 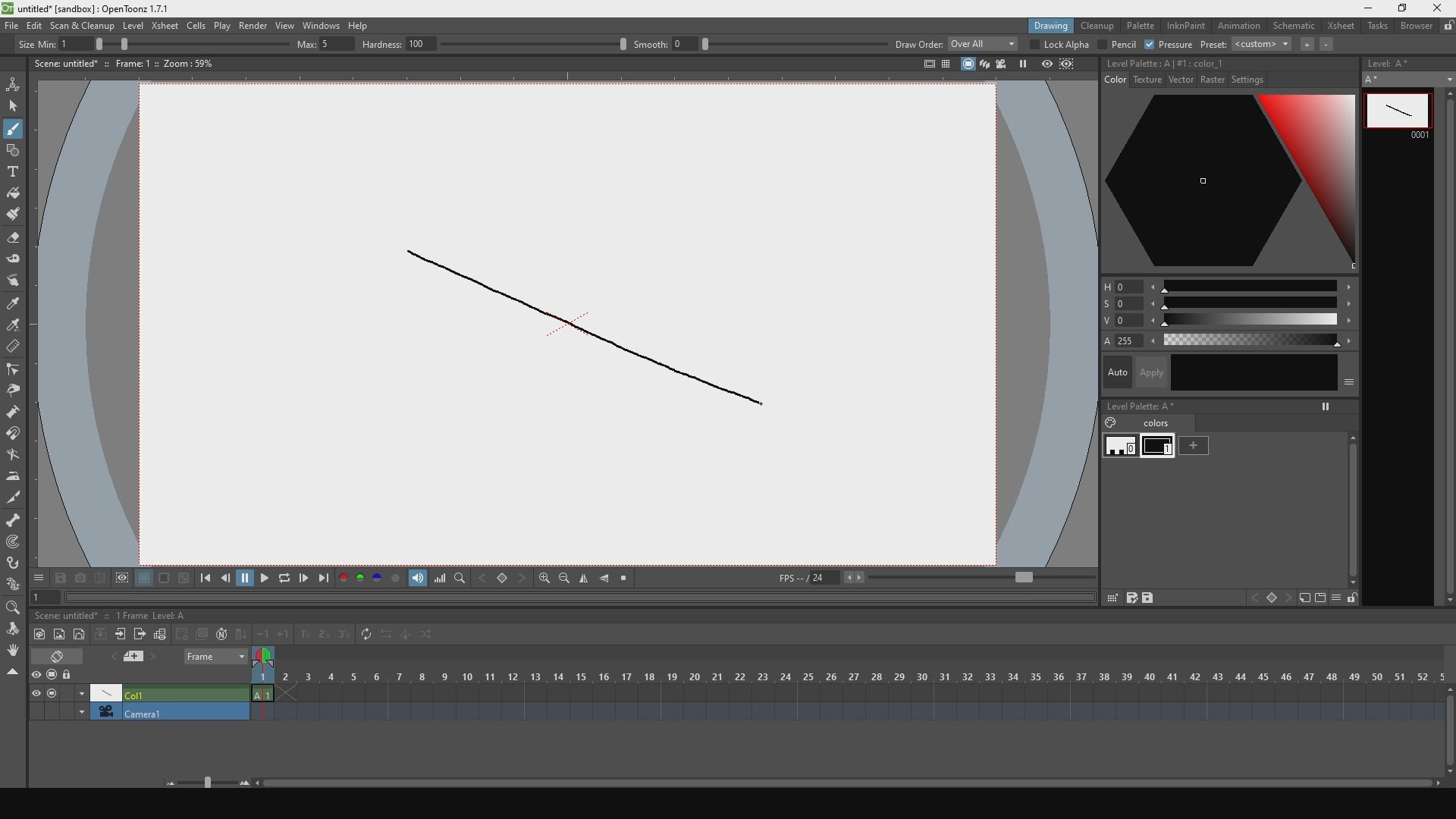 What do you see at coordinates (17, 457) in the screenshot?
I see `turn` at bounding box center [17, 457].